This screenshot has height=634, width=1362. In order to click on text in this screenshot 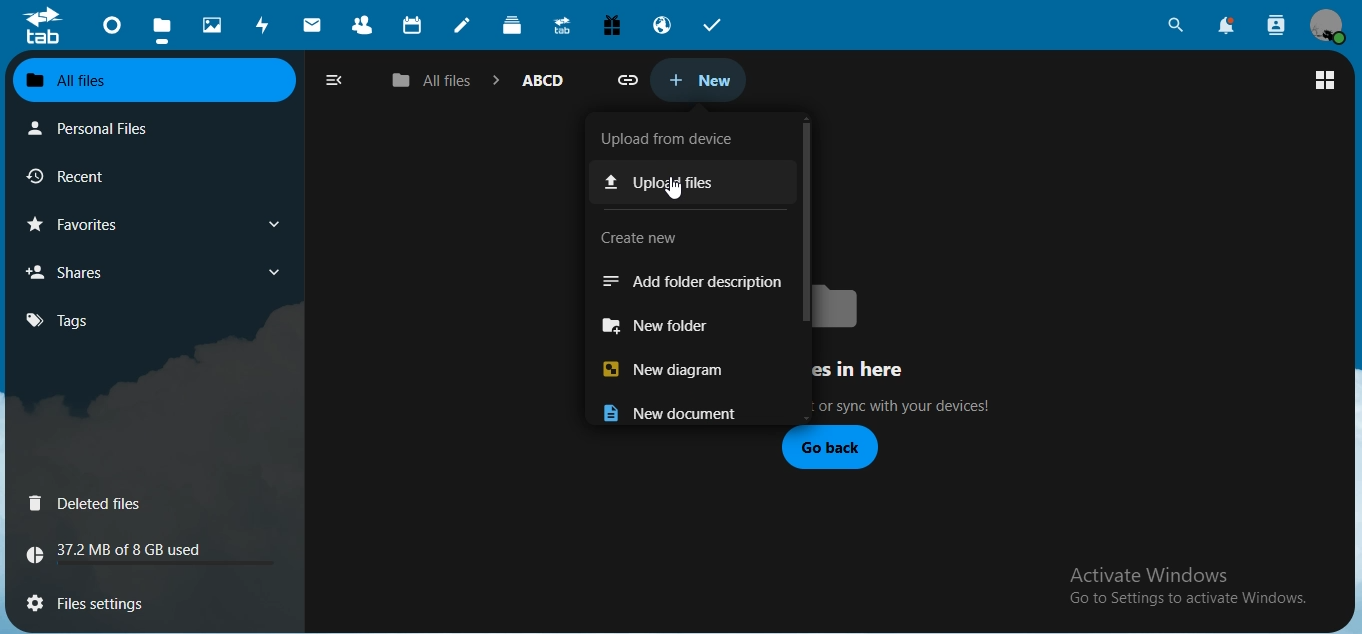, I will do `click(1190, 588)`.